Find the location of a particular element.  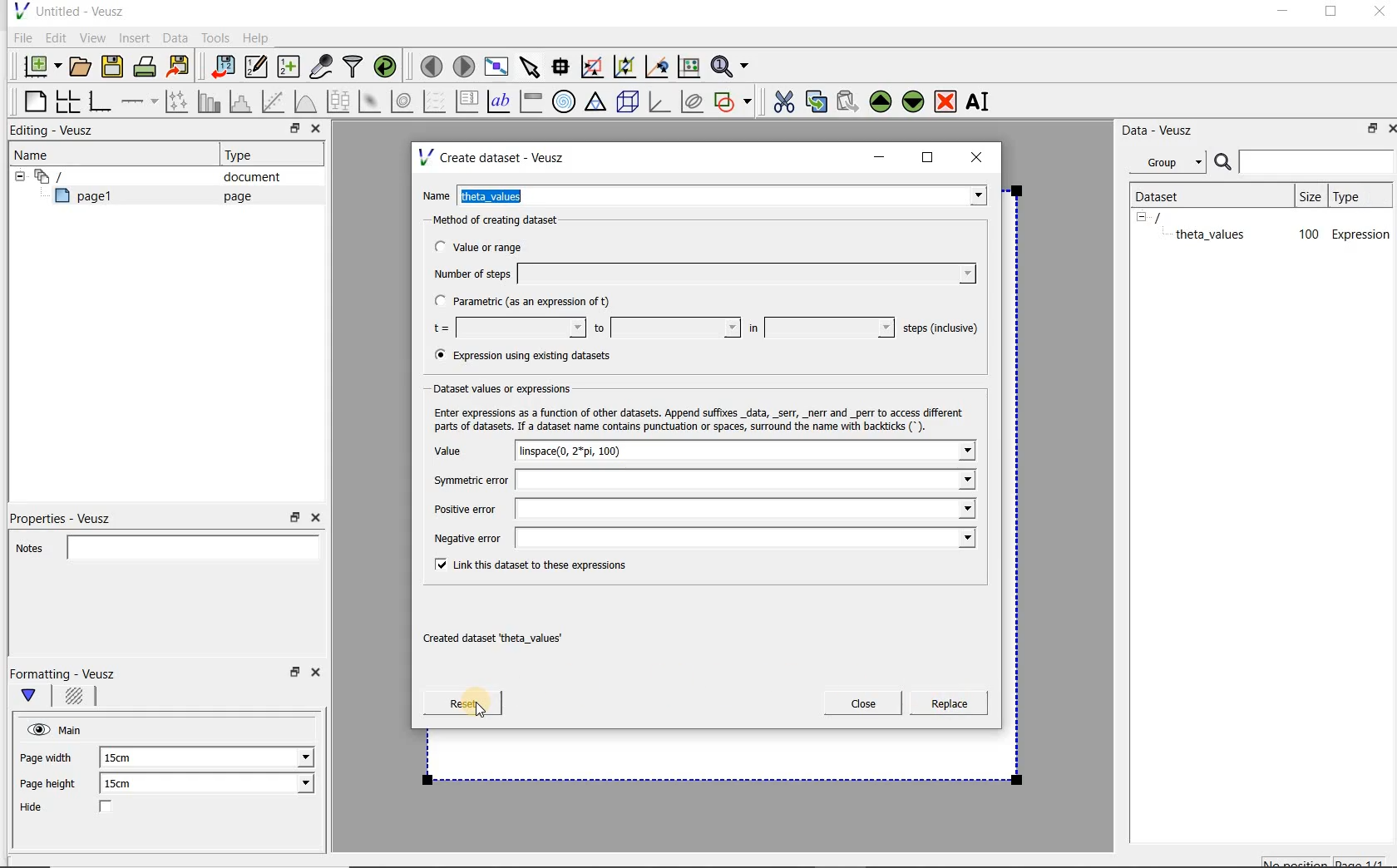

size is located at coordinates (1310, 196).